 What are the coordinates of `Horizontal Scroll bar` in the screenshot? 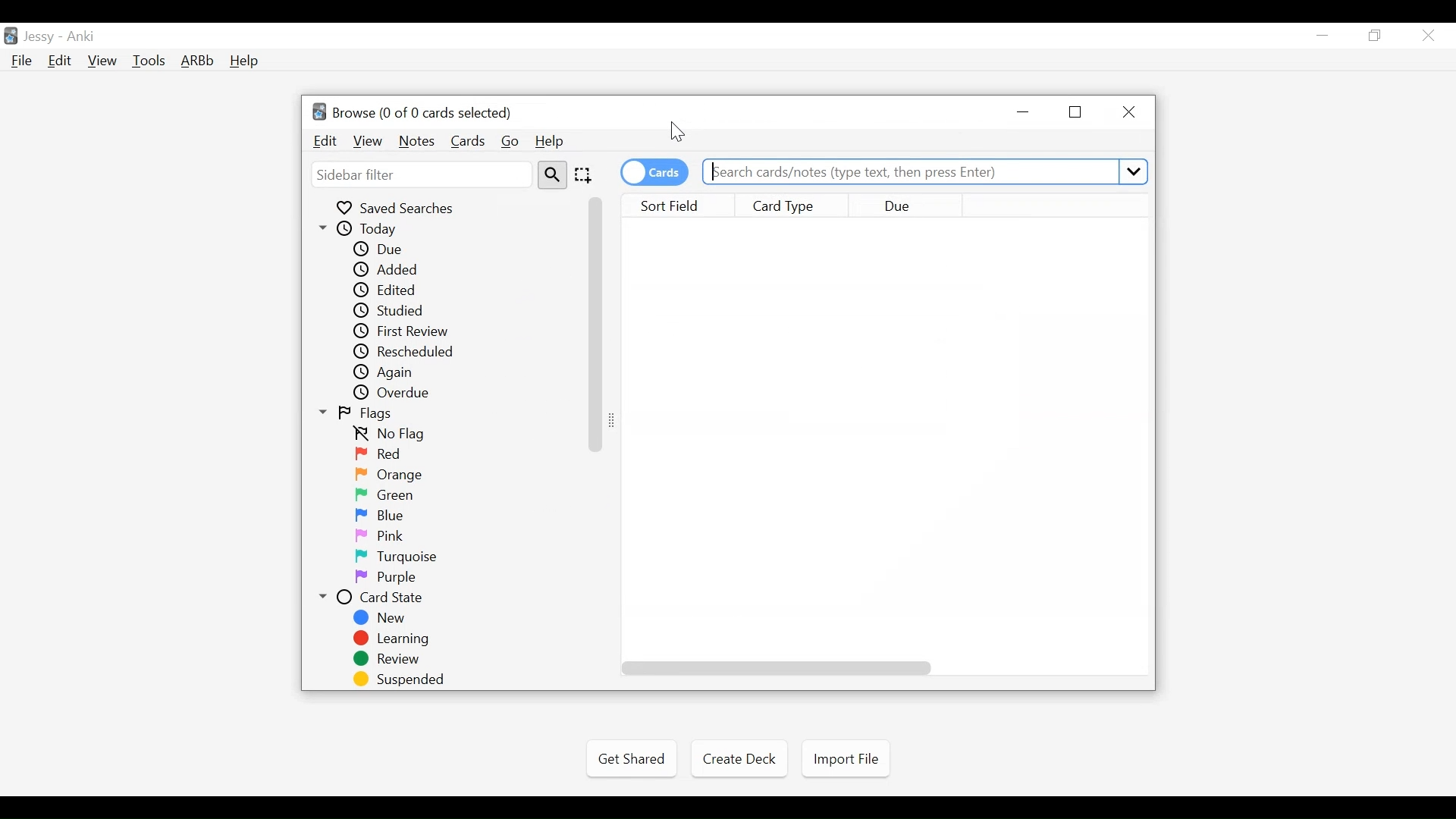 It's located at (782, 670).